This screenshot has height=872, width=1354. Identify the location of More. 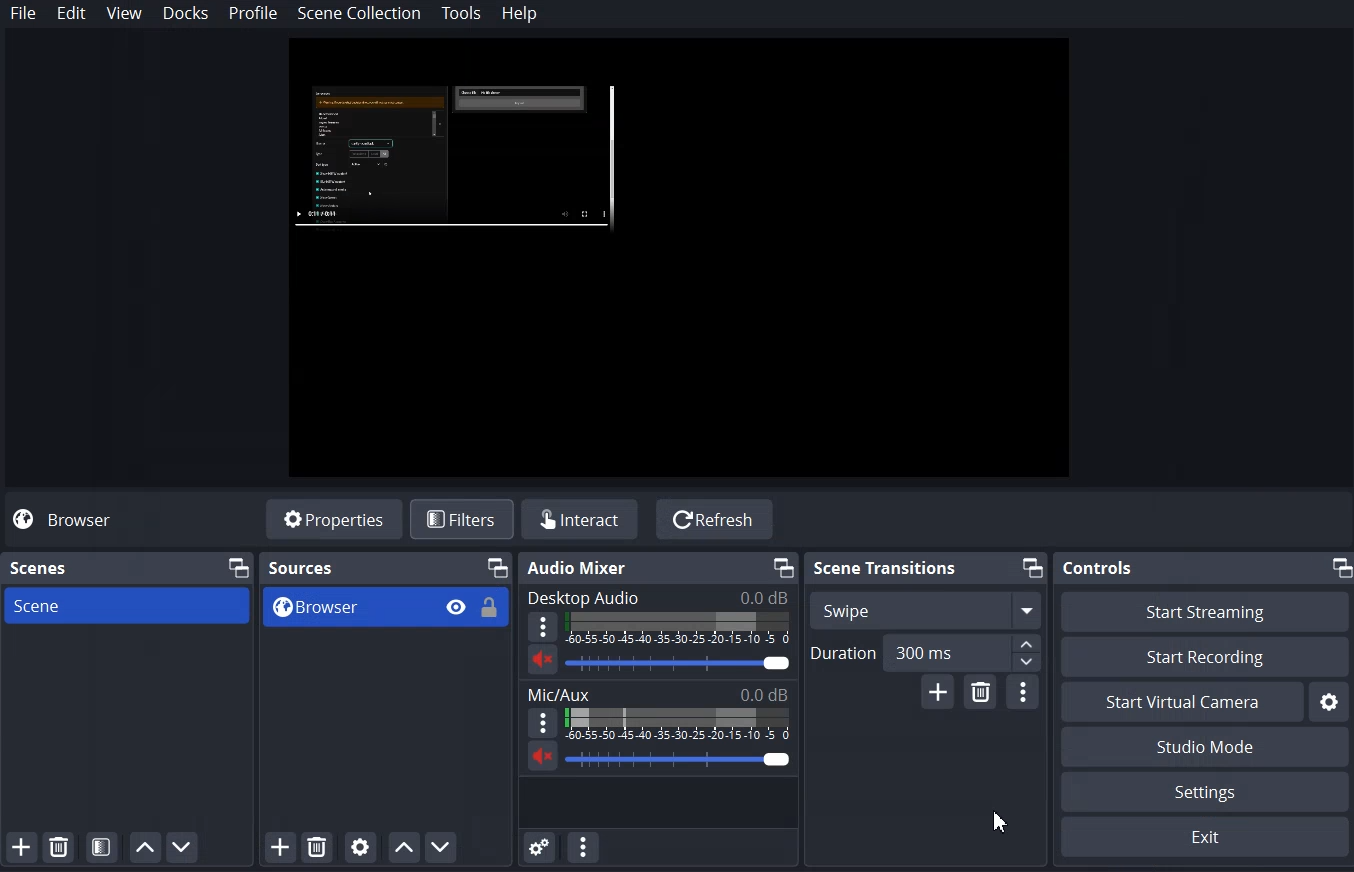
(543, 722).